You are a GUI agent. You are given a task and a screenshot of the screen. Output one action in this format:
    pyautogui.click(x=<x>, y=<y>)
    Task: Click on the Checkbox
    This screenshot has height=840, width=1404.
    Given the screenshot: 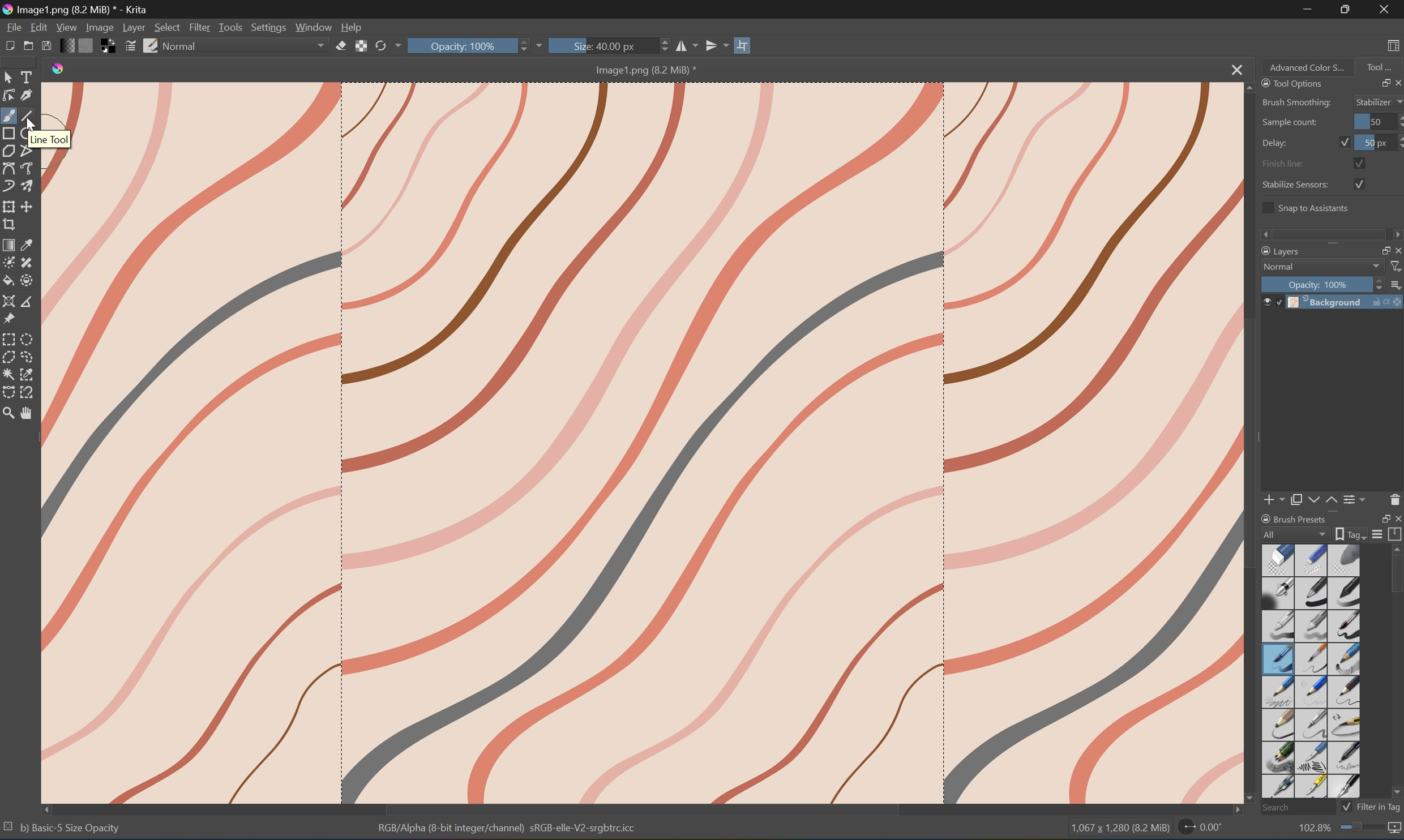 What is the action you would take?
    pyautogui.click(x=1346, y=141)
    